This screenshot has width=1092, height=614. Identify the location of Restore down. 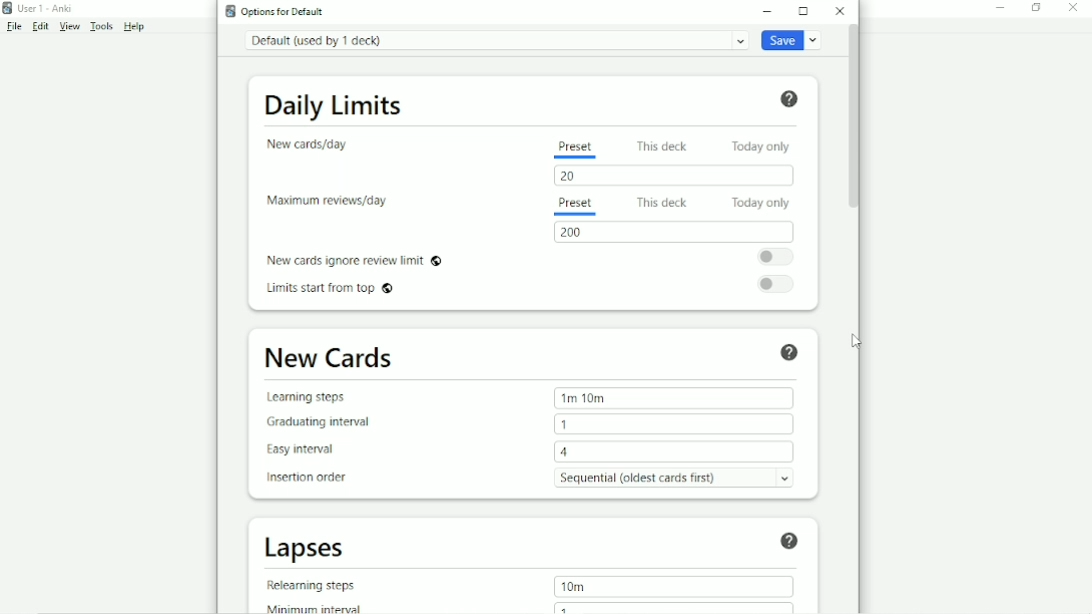
(1036, 9).